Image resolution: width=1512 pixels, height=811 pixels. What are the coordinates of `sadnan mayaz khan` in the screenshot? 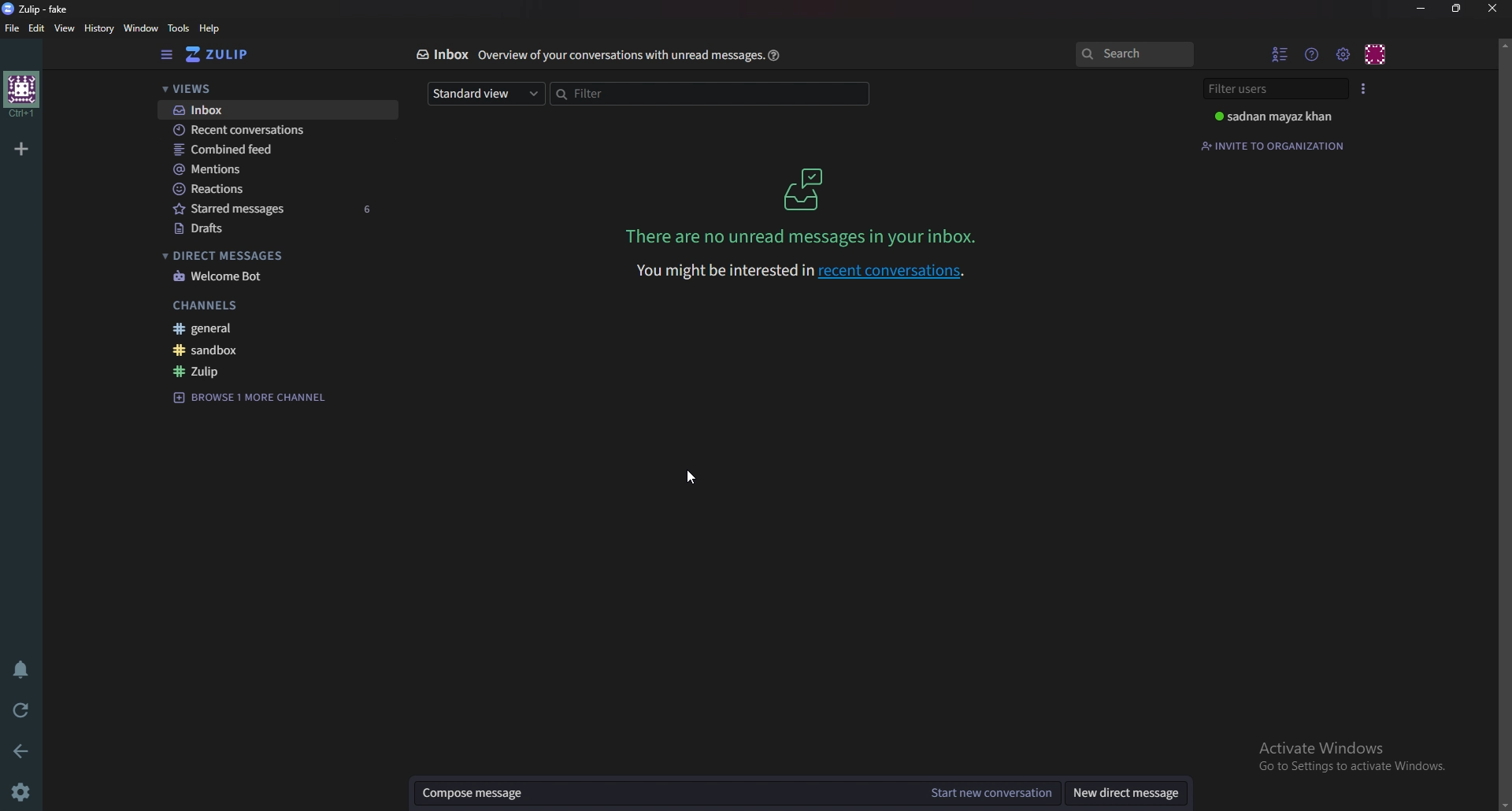 It's located at (1273, 117).